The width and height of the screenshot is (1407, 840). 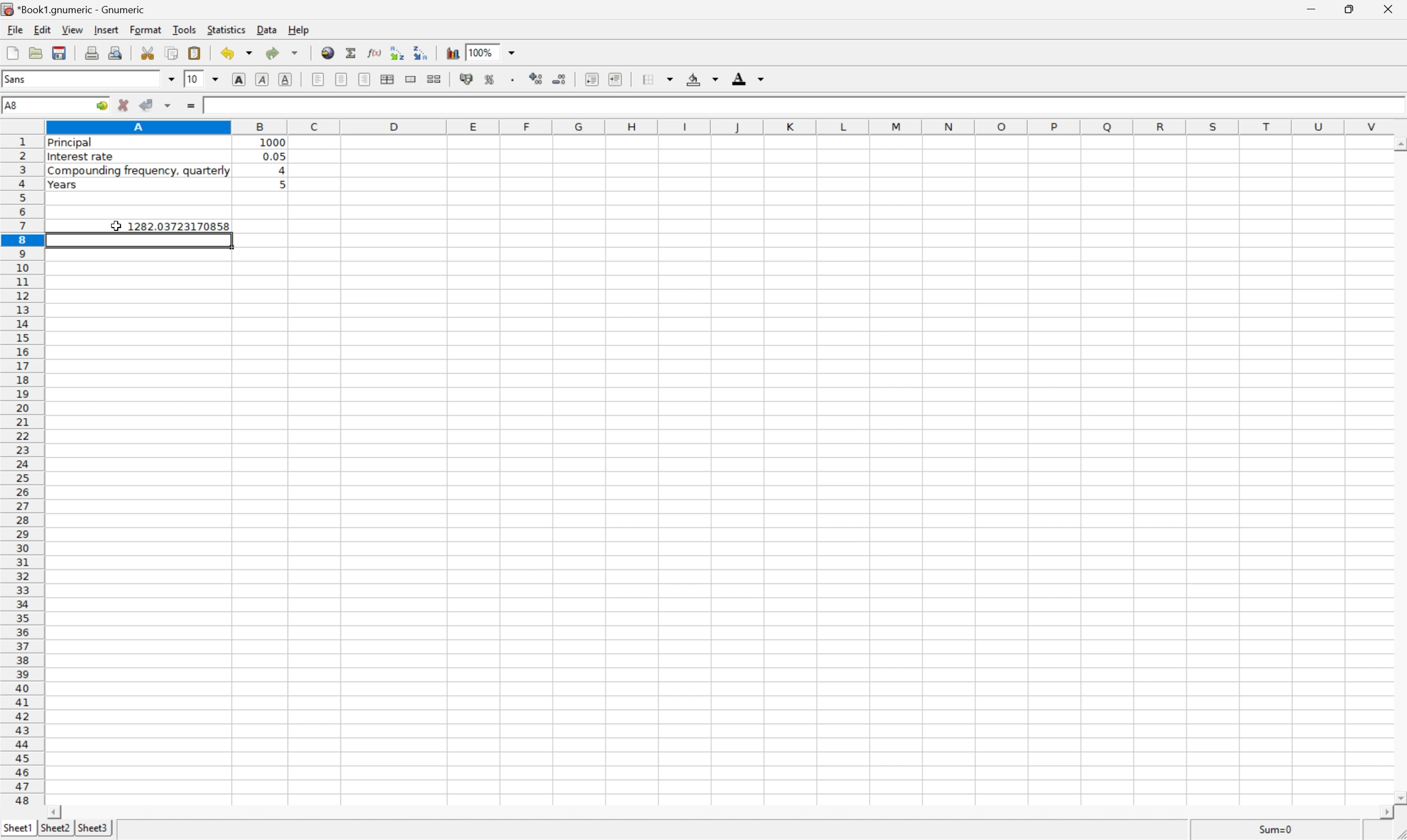 What do you see at coordinates (57, 832) in the screenshot?
I see `sheet2` at bounding box center [57, 832].